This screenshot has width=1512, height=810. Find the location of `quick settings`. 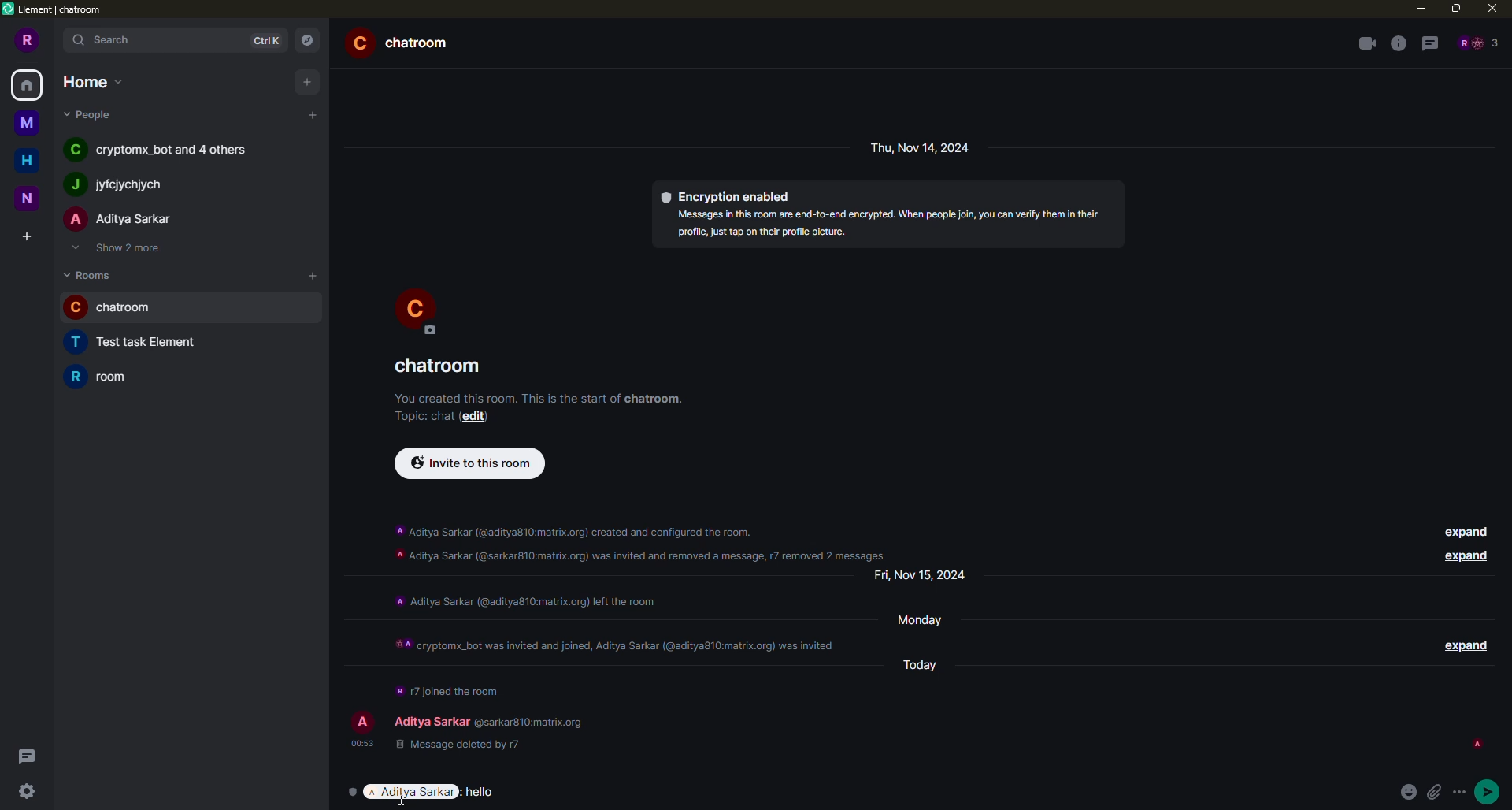

quick settings is located at coordinates (25, 793).